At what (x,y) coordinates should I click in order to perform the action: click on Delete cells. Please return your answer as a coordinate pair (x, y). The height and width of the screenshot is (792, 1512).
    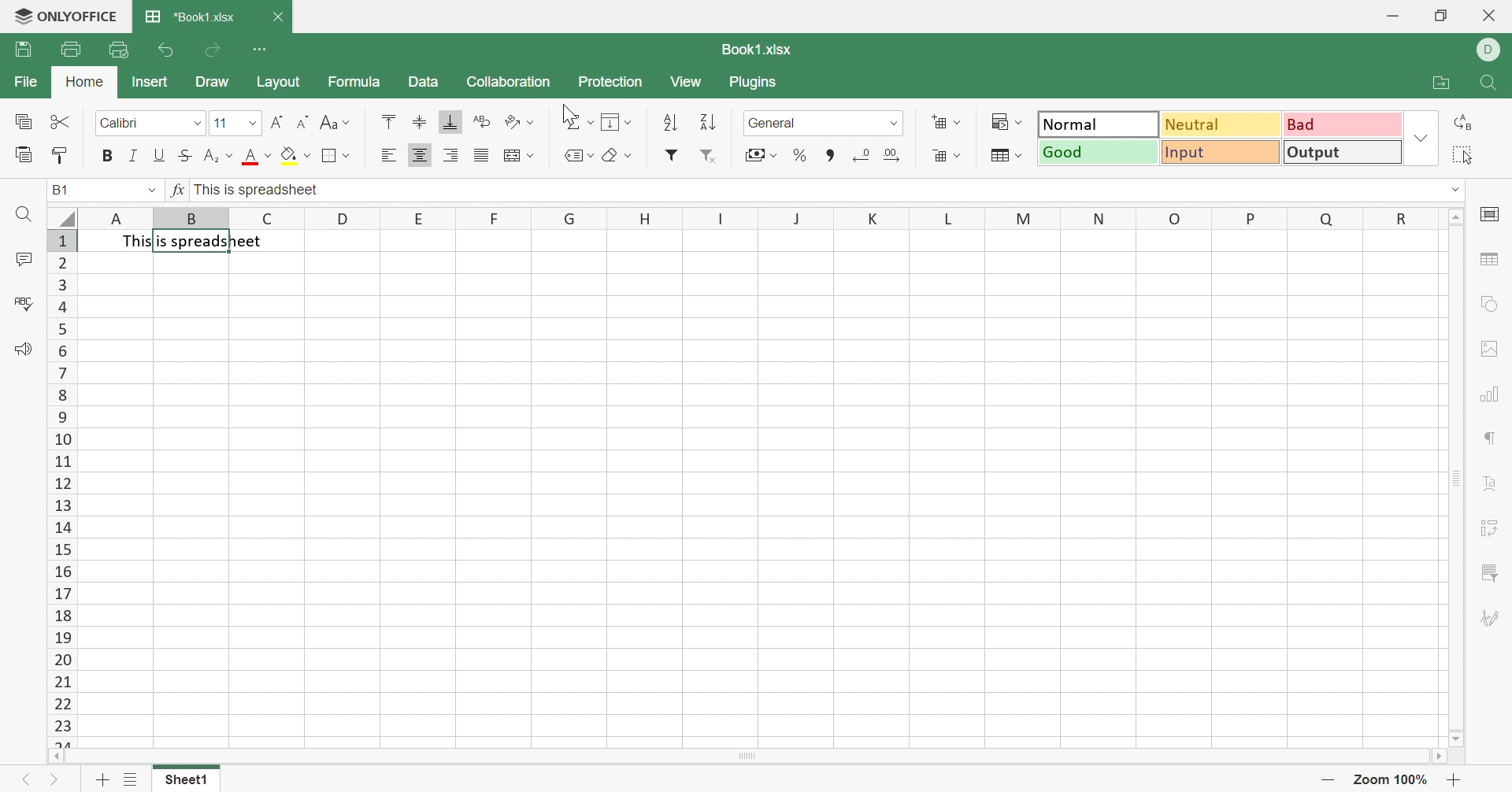
    Looking at the image, I should click on (939, 153).